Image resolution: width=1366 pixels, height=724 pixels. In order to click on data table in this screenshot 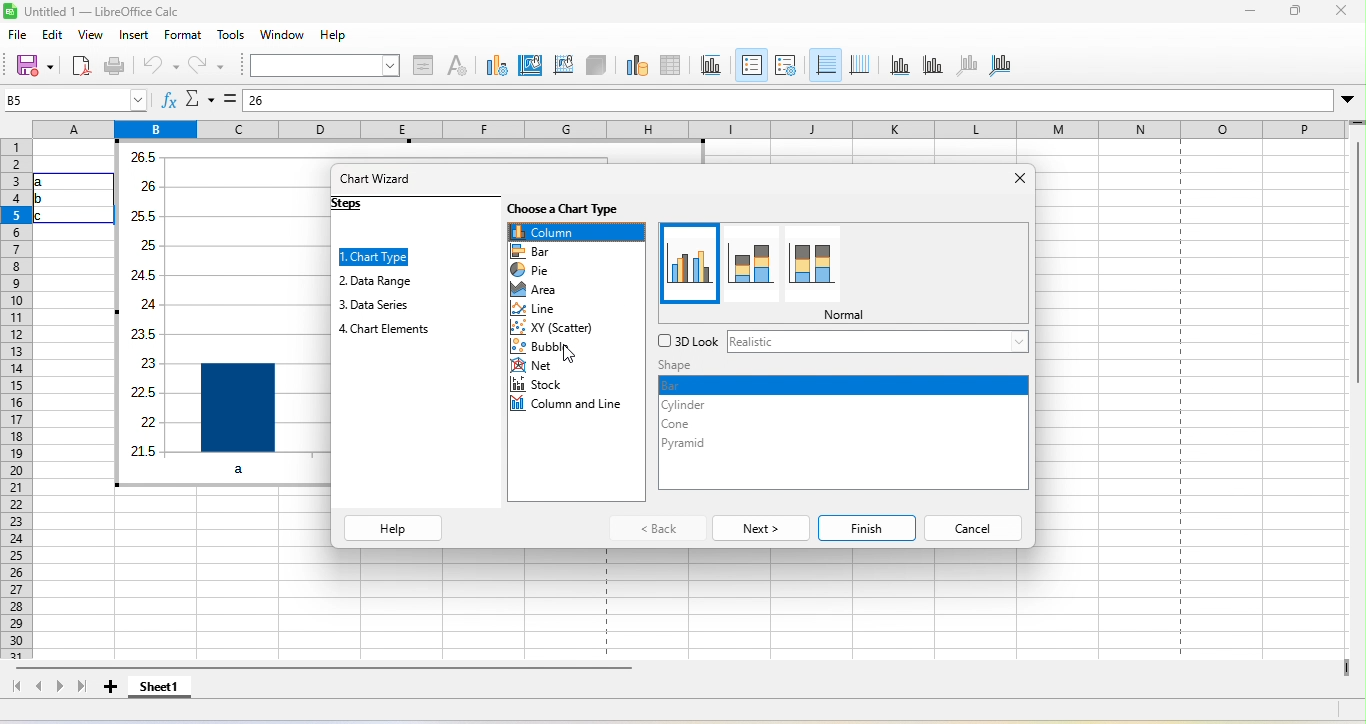, I will do `click(670, 66)`.